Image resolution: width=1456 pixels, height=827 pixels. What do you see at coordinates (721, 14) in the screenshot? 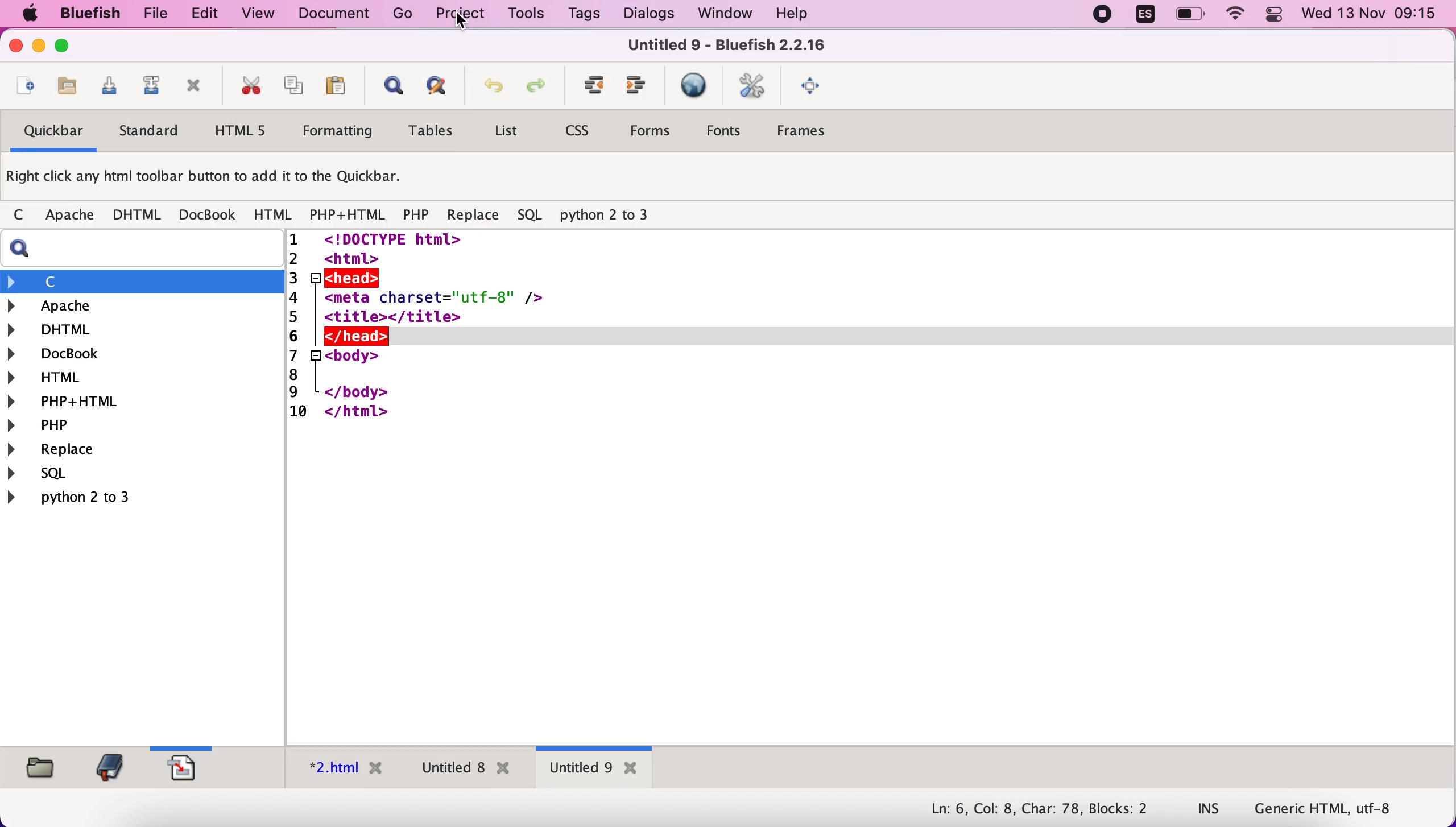
I see `window` at bounding box center [721, 14].